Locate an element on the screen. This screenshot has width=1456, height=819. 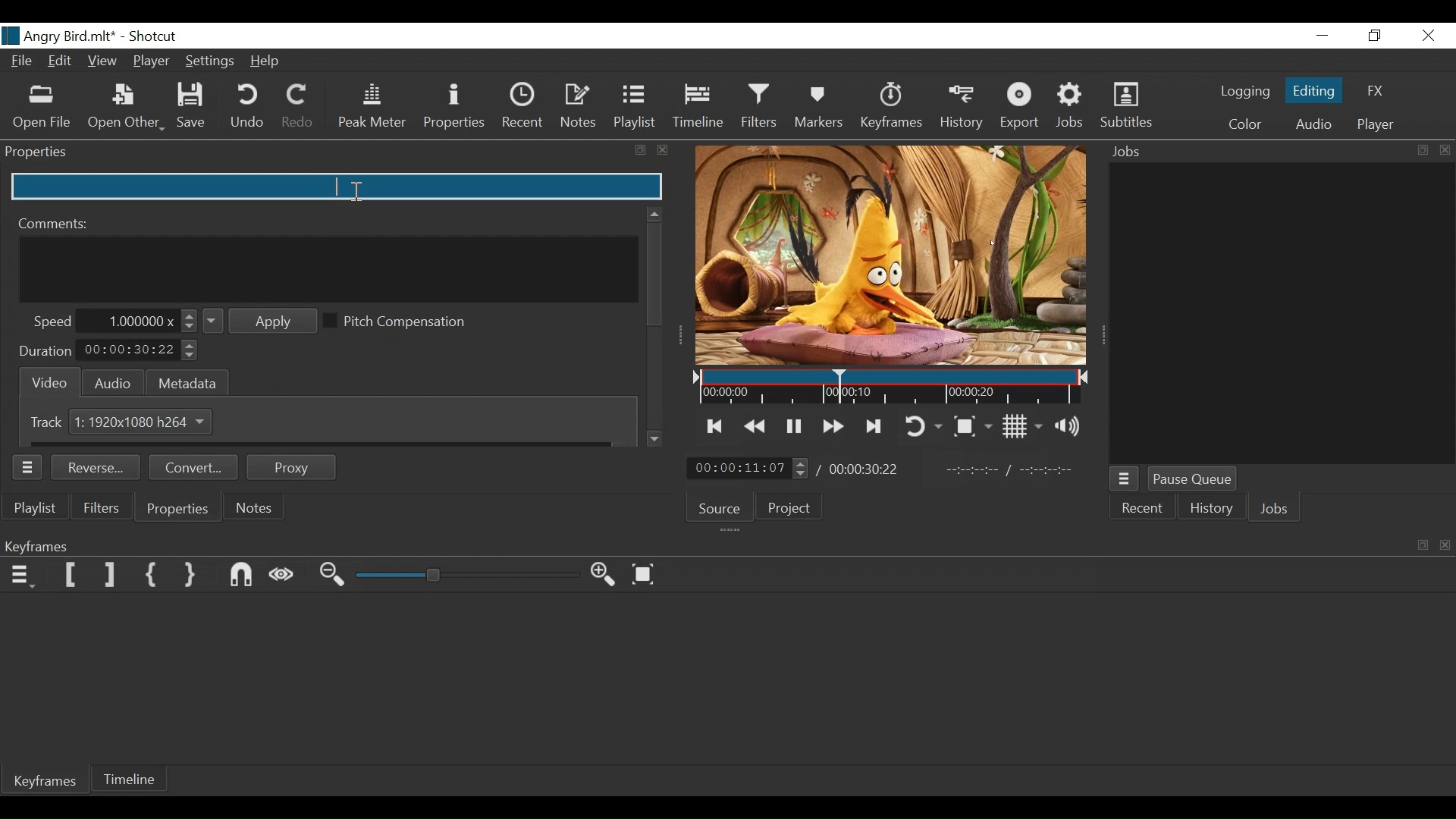
Set Filter Last is located at coordinates (111, 576).